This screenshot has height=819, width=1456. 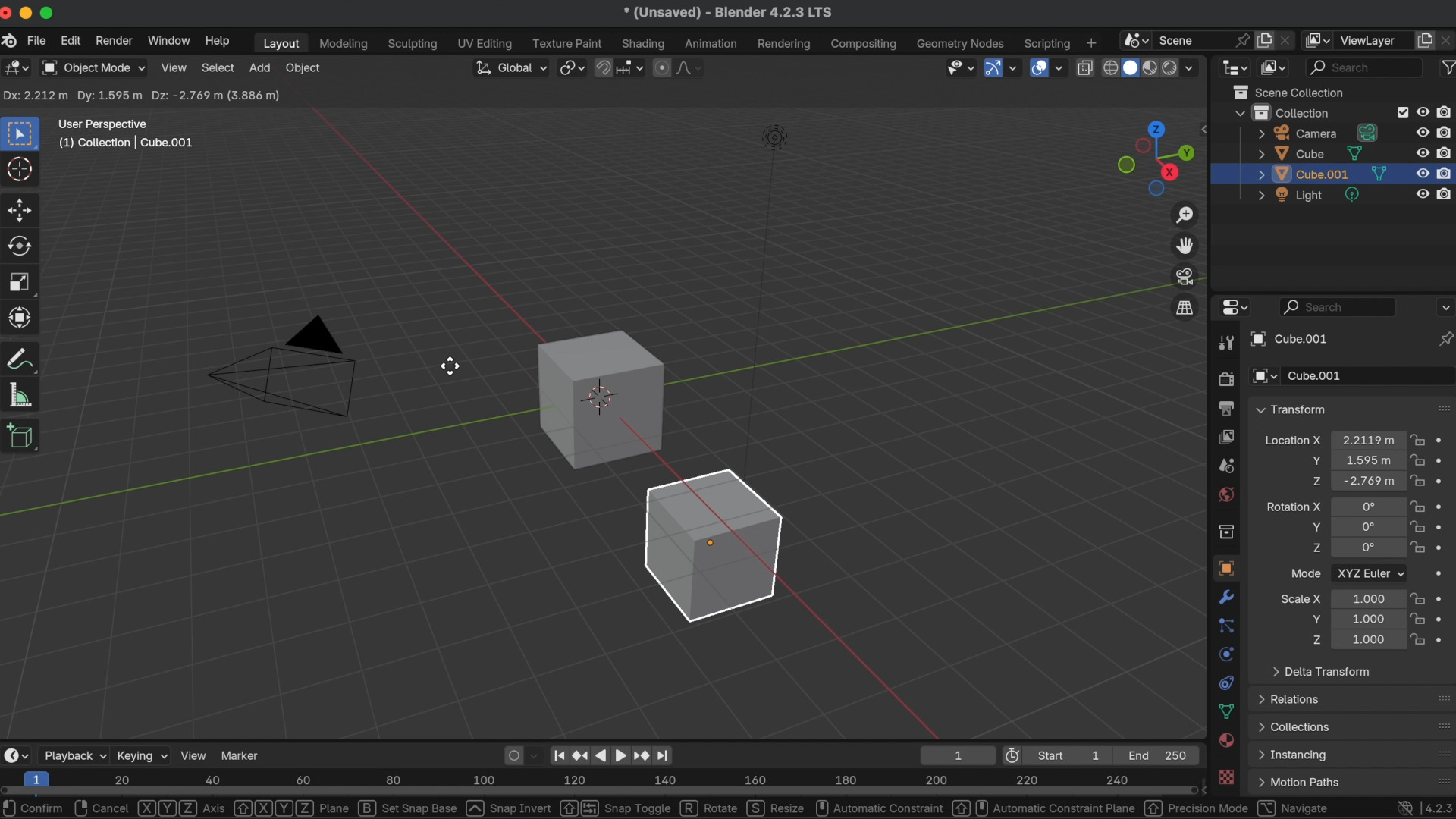 I want to click on rotation X, so click(x=1293, y=504).